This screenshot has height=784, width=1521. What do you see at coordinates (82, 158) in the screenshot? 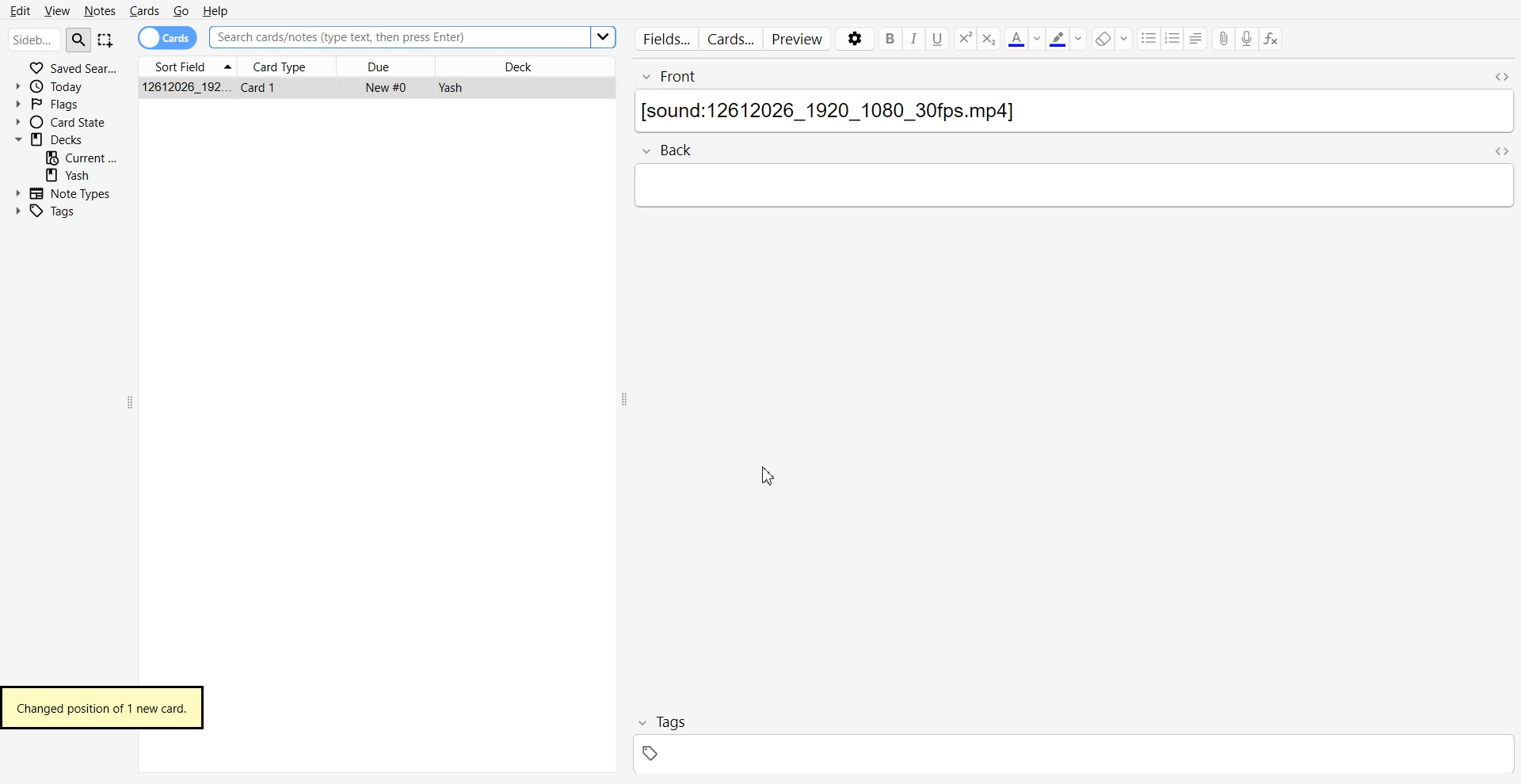
I see `Current` at bounding box center [82, 158].